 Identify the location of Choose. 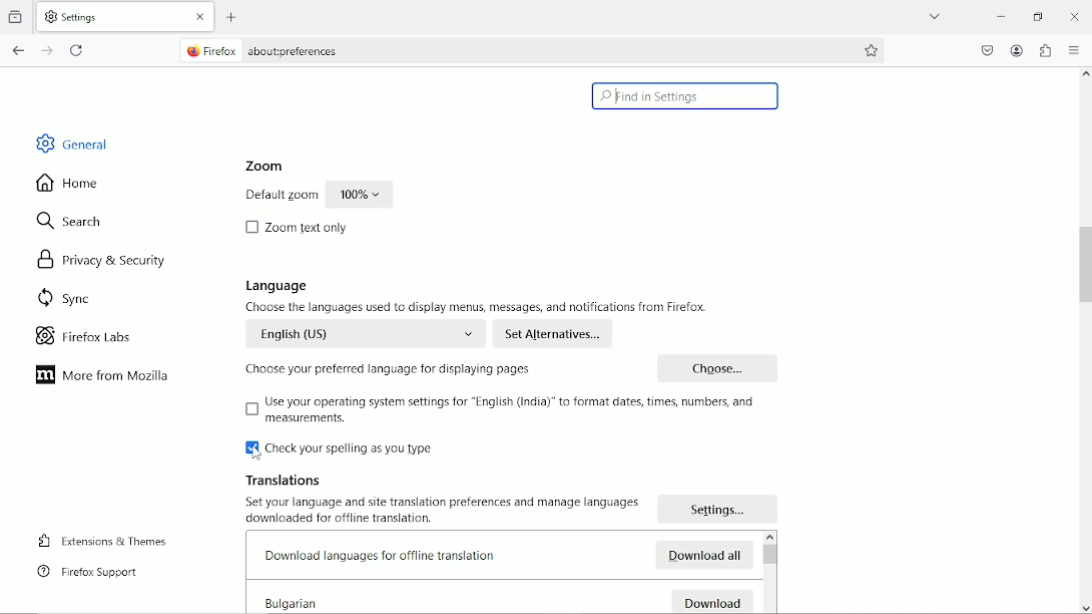
(715, 370).